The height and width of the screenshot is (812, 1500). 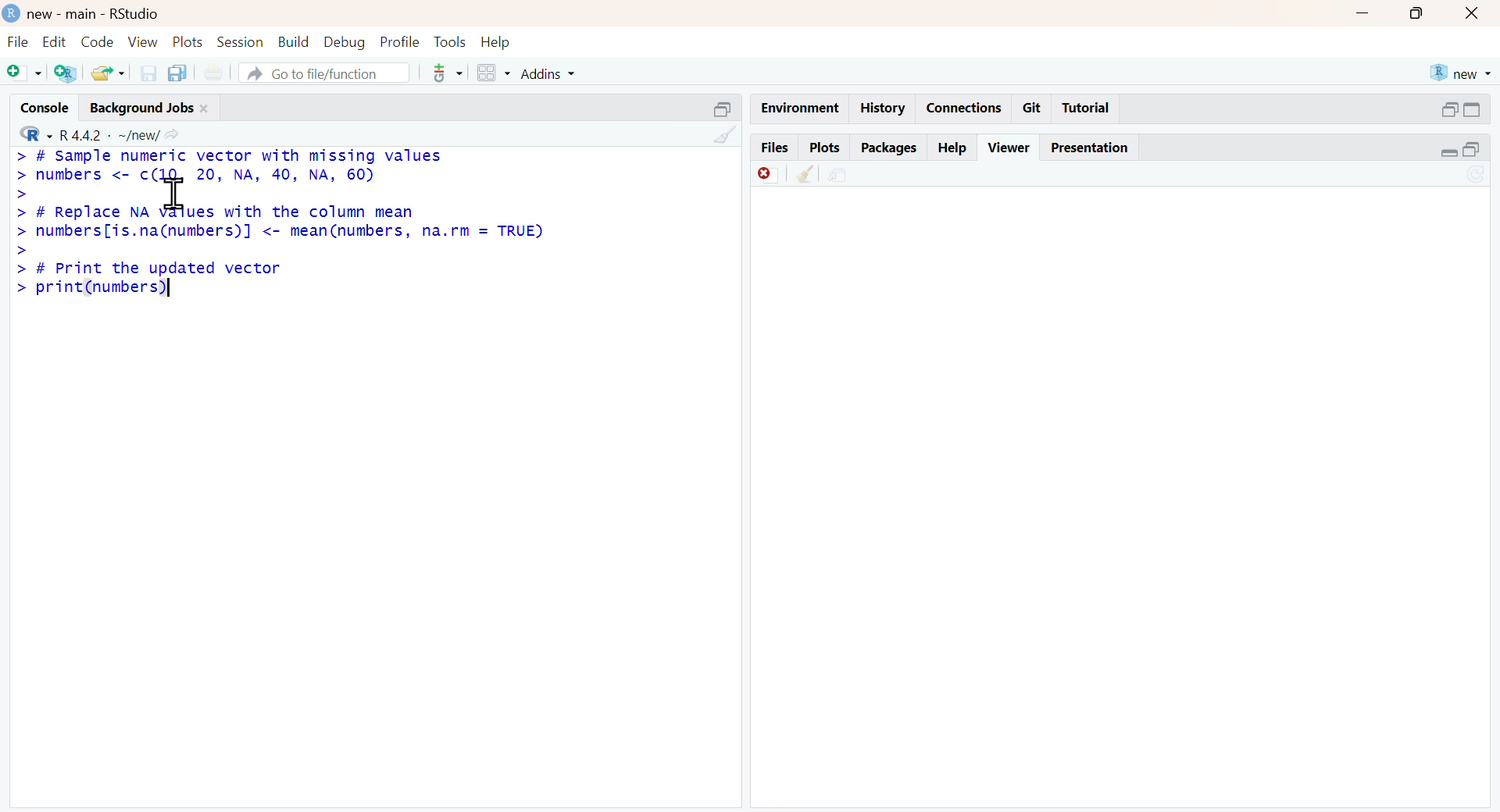 What do you see at coordinates (45, 107) in the screenshot?
I see `console` at bounding box center [45, 107].